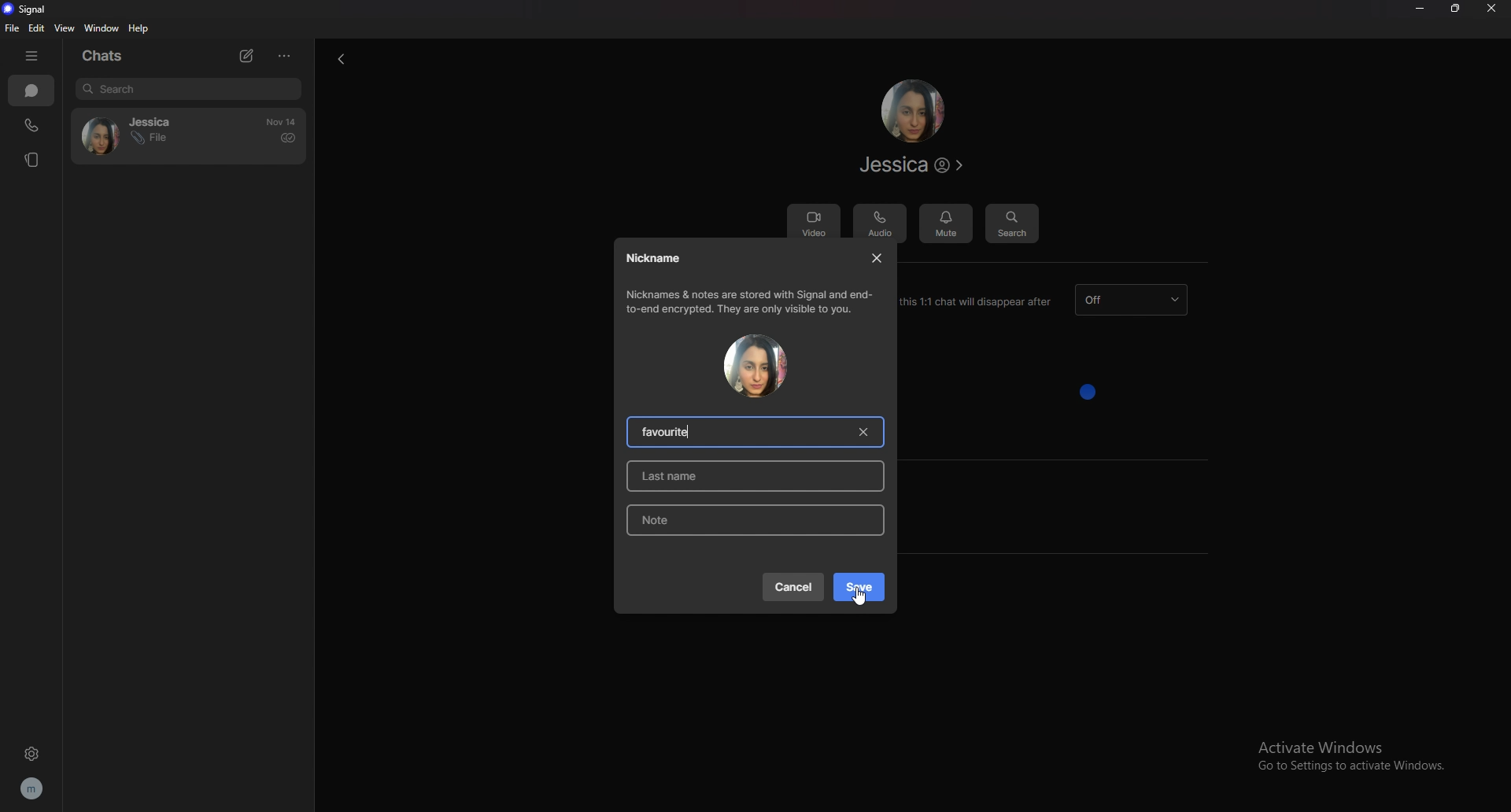 The width and height of the screenshot is (1511, 812). What do you see at coordinates (1419, 9) in the screenshot?
I see `minimize` at bounding box center [1419, 9].